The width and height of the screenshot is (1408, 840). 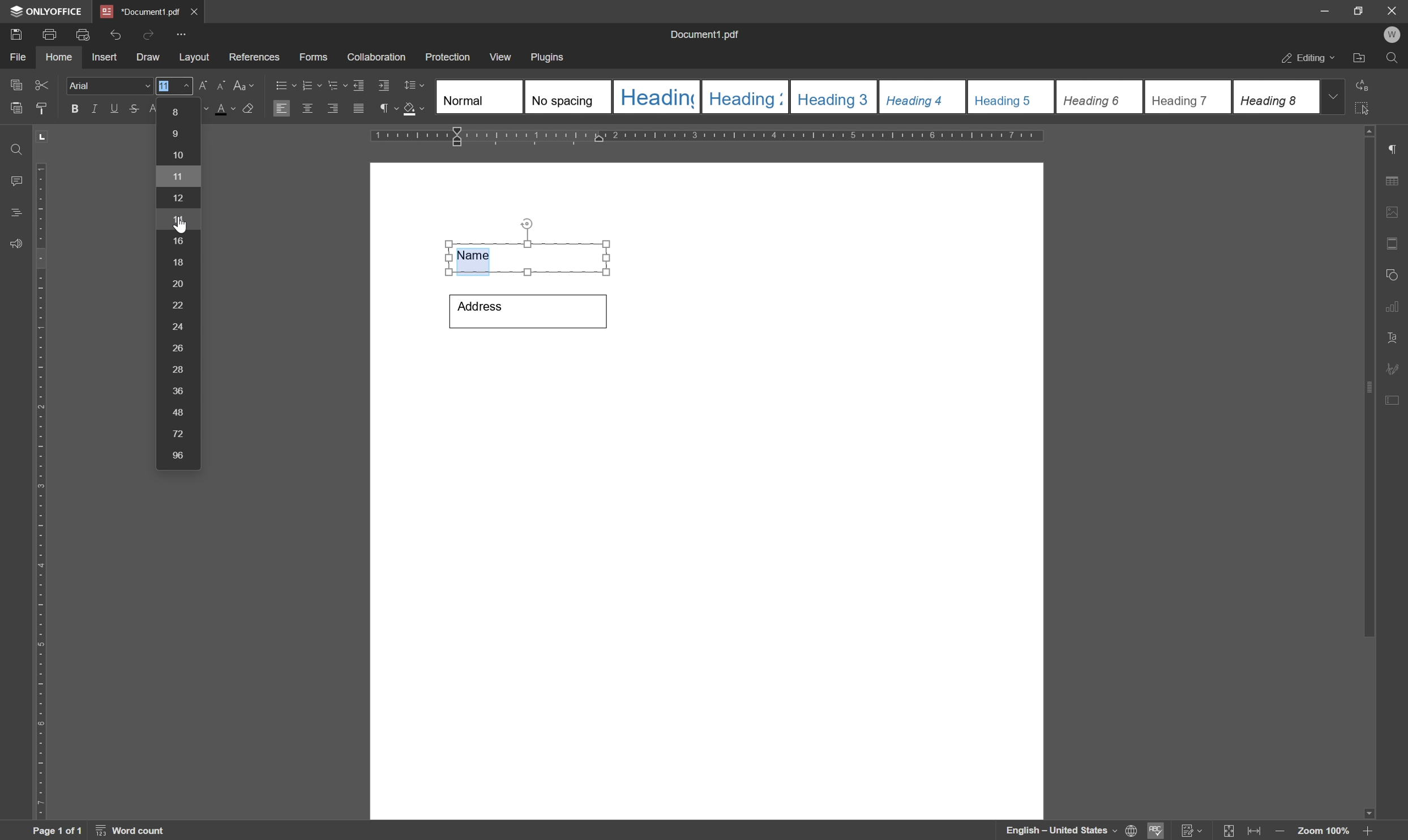 What do you see at coordinates (1072, 831) in the screenshot?
I see `English- united states` at bounding box center [1072, 831].